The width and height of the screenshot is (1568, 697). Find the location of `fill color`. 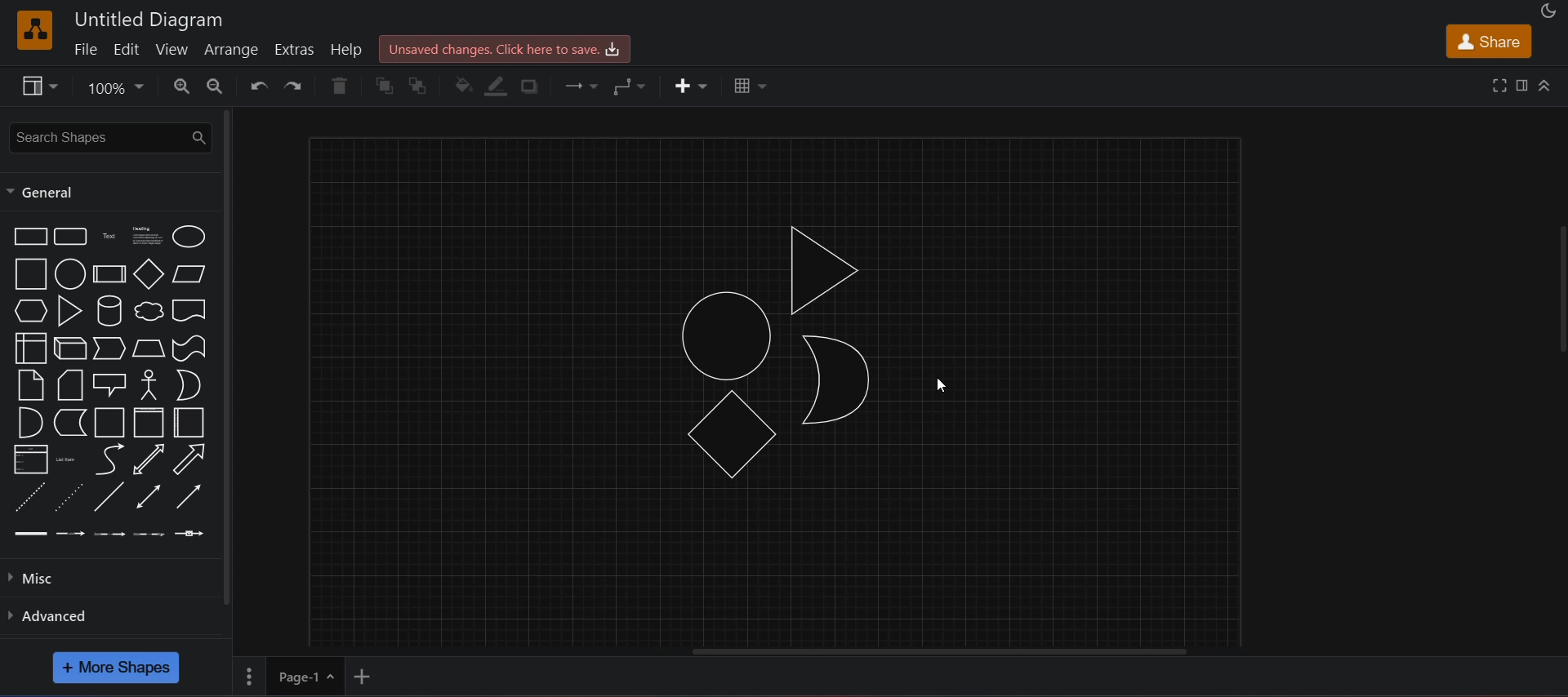

fill color is located at coordinates (463, 84).